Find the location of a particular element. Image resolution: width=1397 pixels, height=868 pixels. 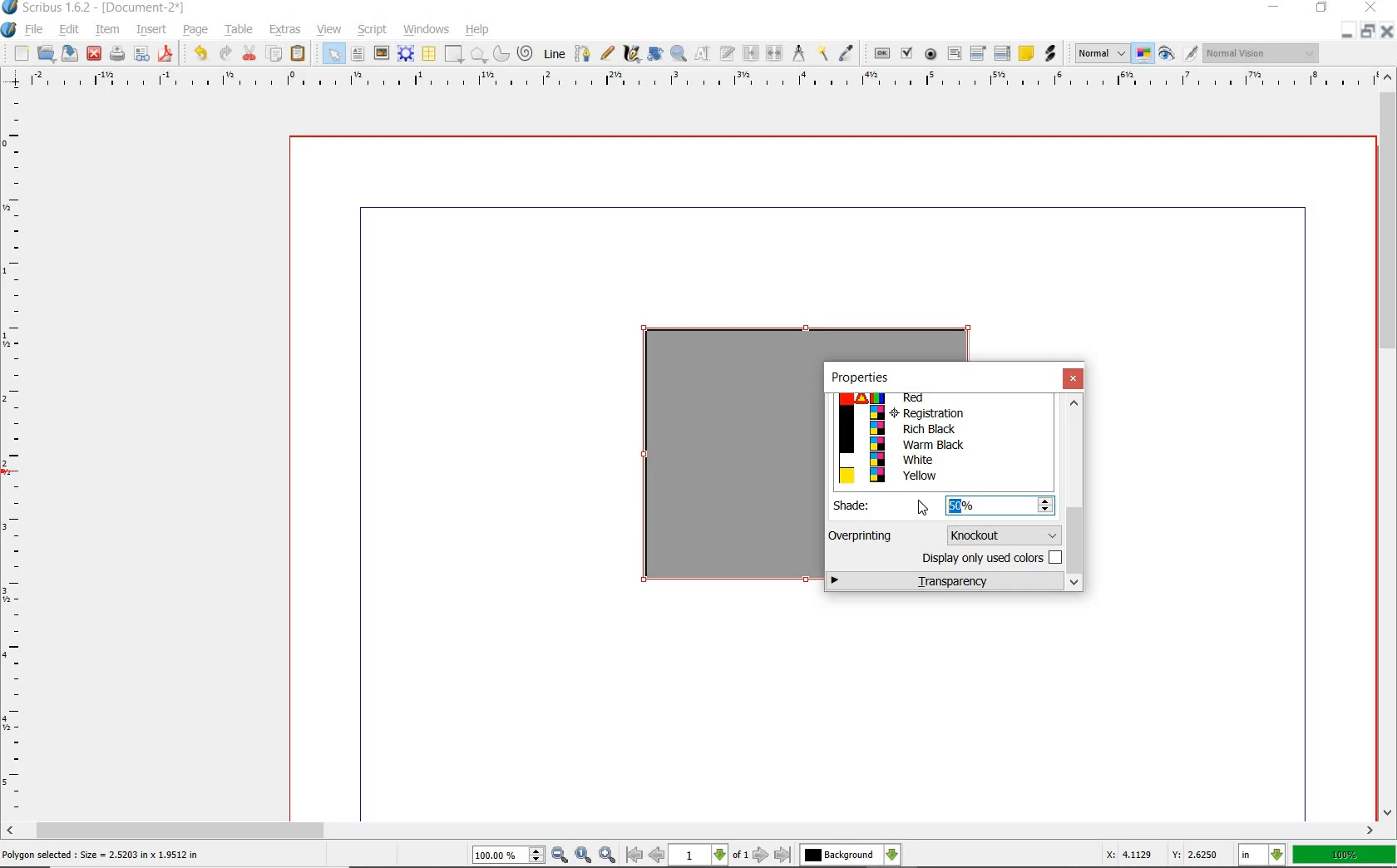

measurement is located at coordinates (801, 55).